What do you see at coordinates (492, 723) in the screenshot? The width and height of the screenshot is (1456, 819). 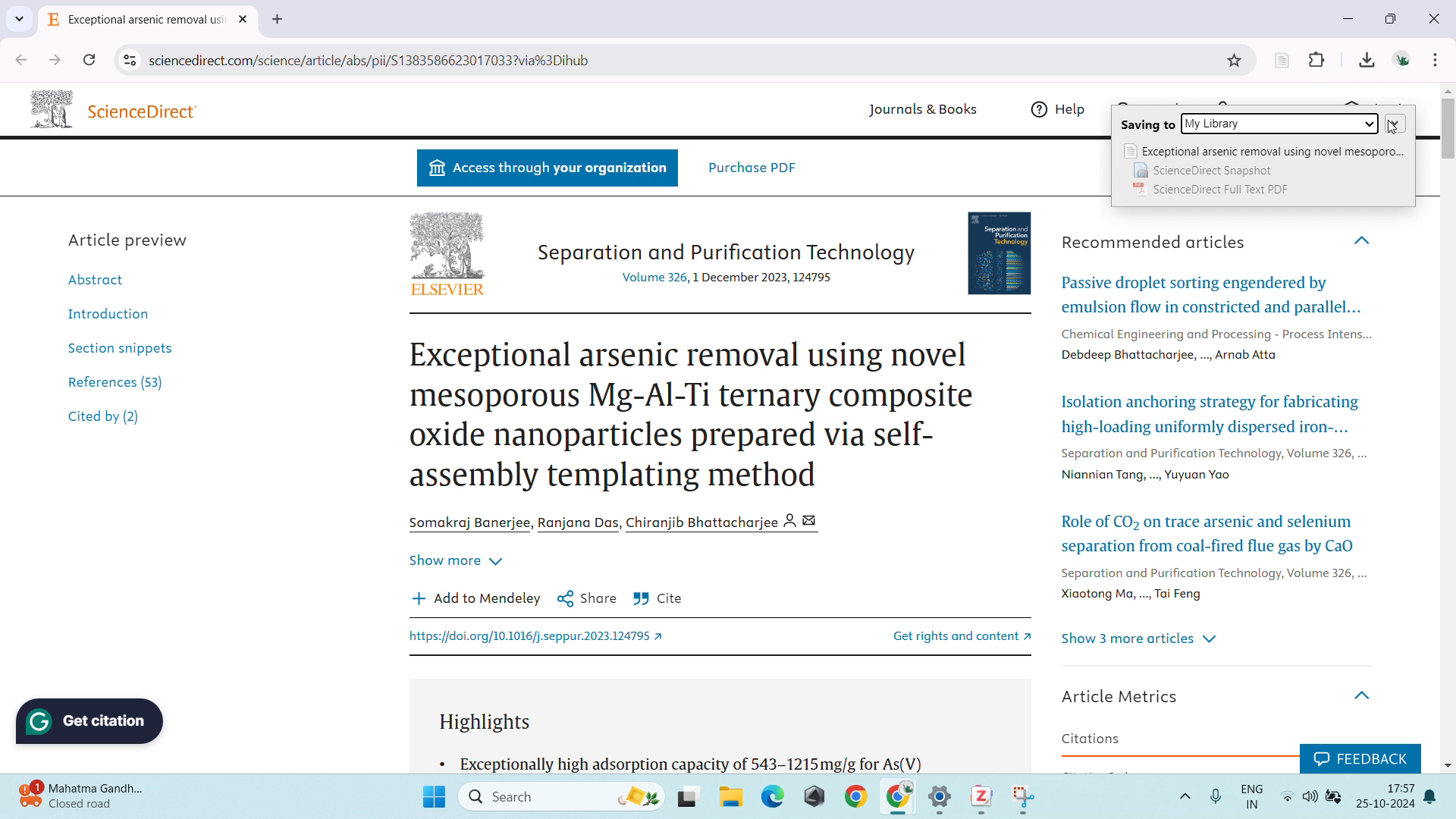 I see `Highlights` at bounding box center [492, 723].